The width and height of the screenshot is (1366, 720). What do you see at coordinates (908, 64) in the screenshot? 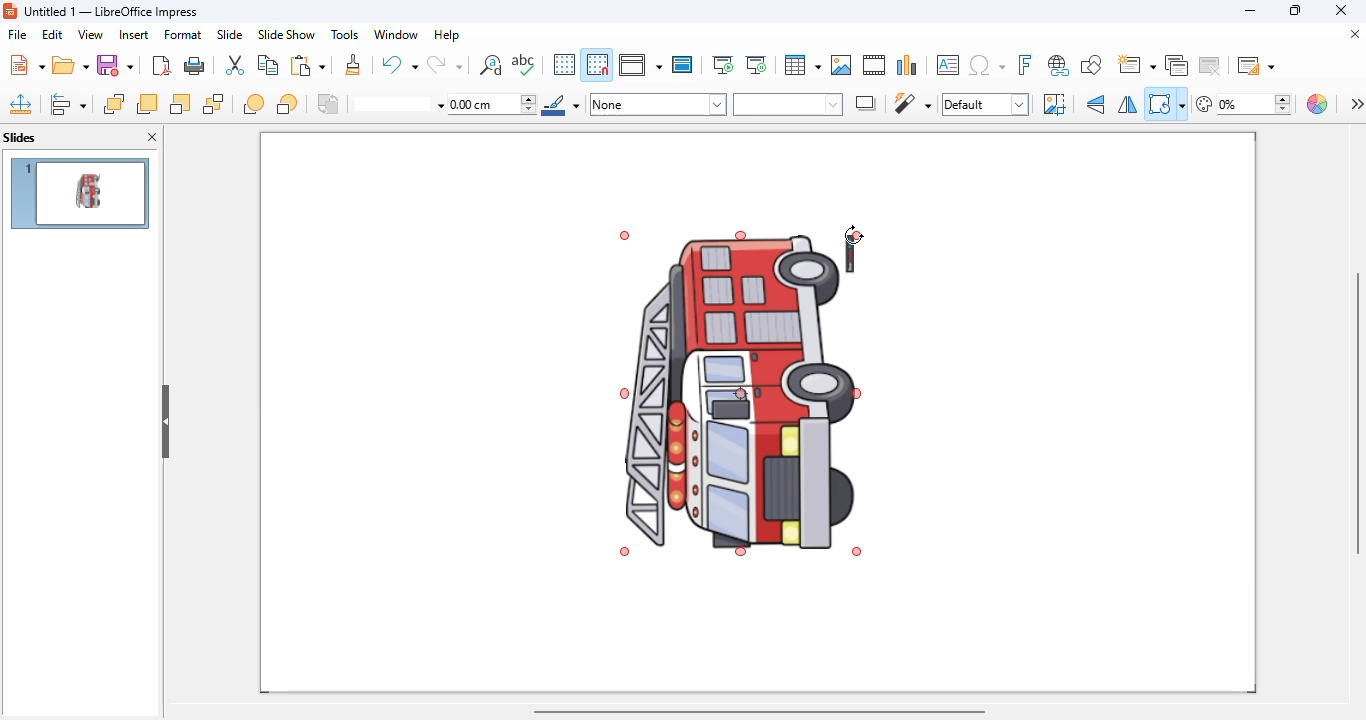
I see `insert chart` at bounding box center [908, 64].